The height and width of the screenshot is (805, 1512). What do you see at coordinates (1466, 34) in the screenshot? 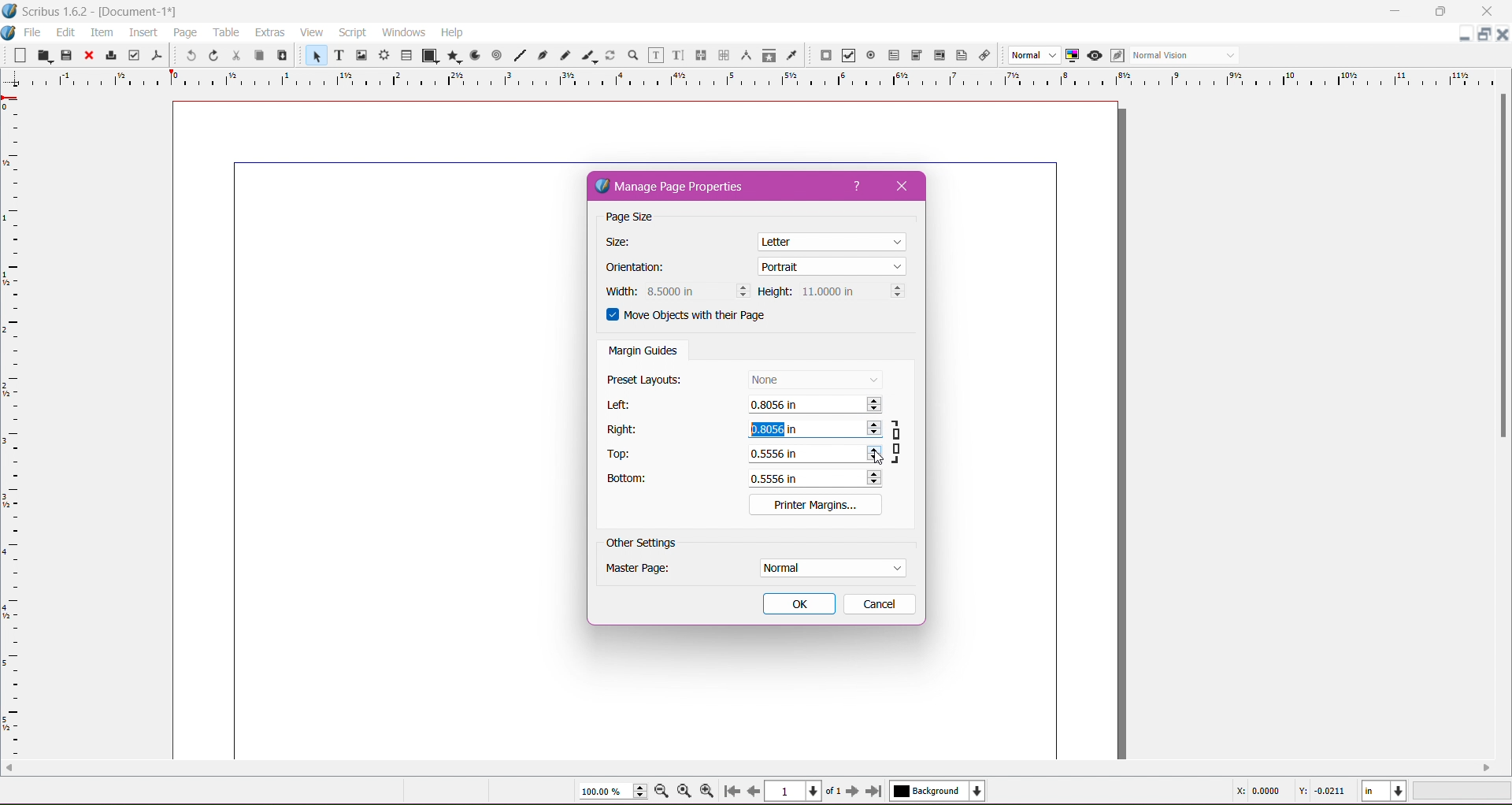
I see `Minimize Document` at bounding box center [1466, 34].